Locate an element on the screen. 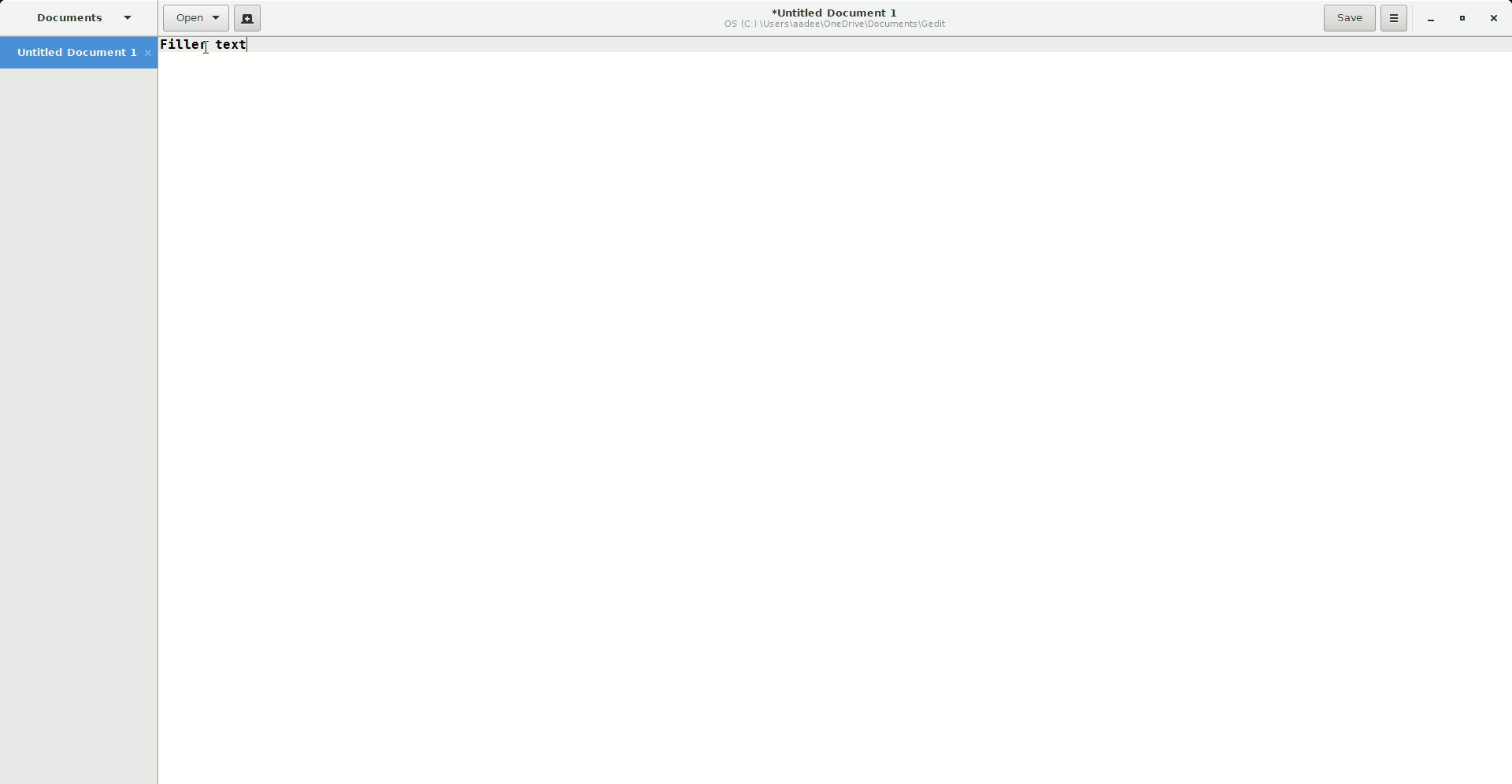 Image resolution: width=1512 pixels, height=784 pixels. Cursor is located at coordinates (206, 50).